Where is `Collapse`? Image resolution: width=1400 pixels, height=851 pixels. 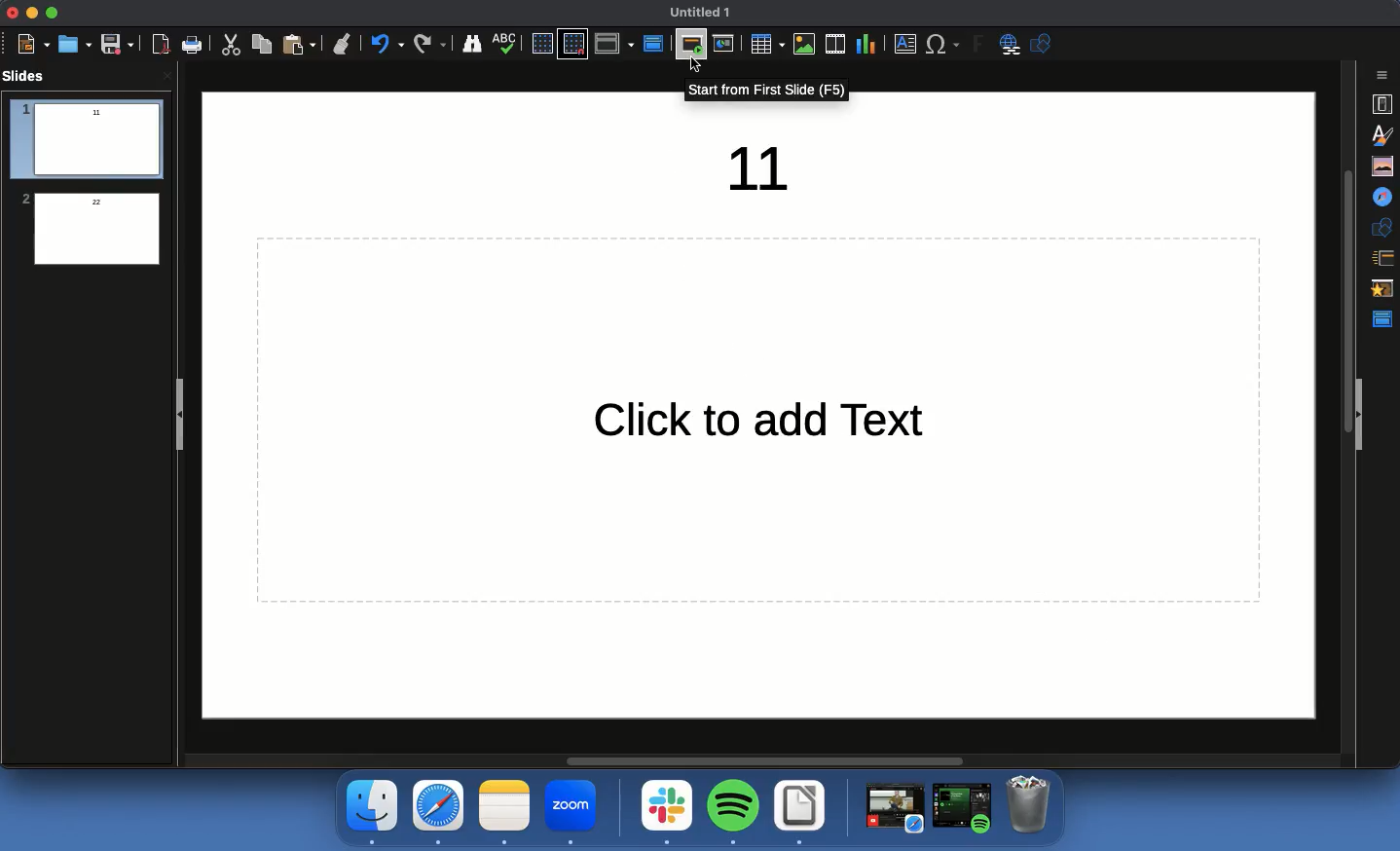 Collapse is located at coordinates (178, 416).